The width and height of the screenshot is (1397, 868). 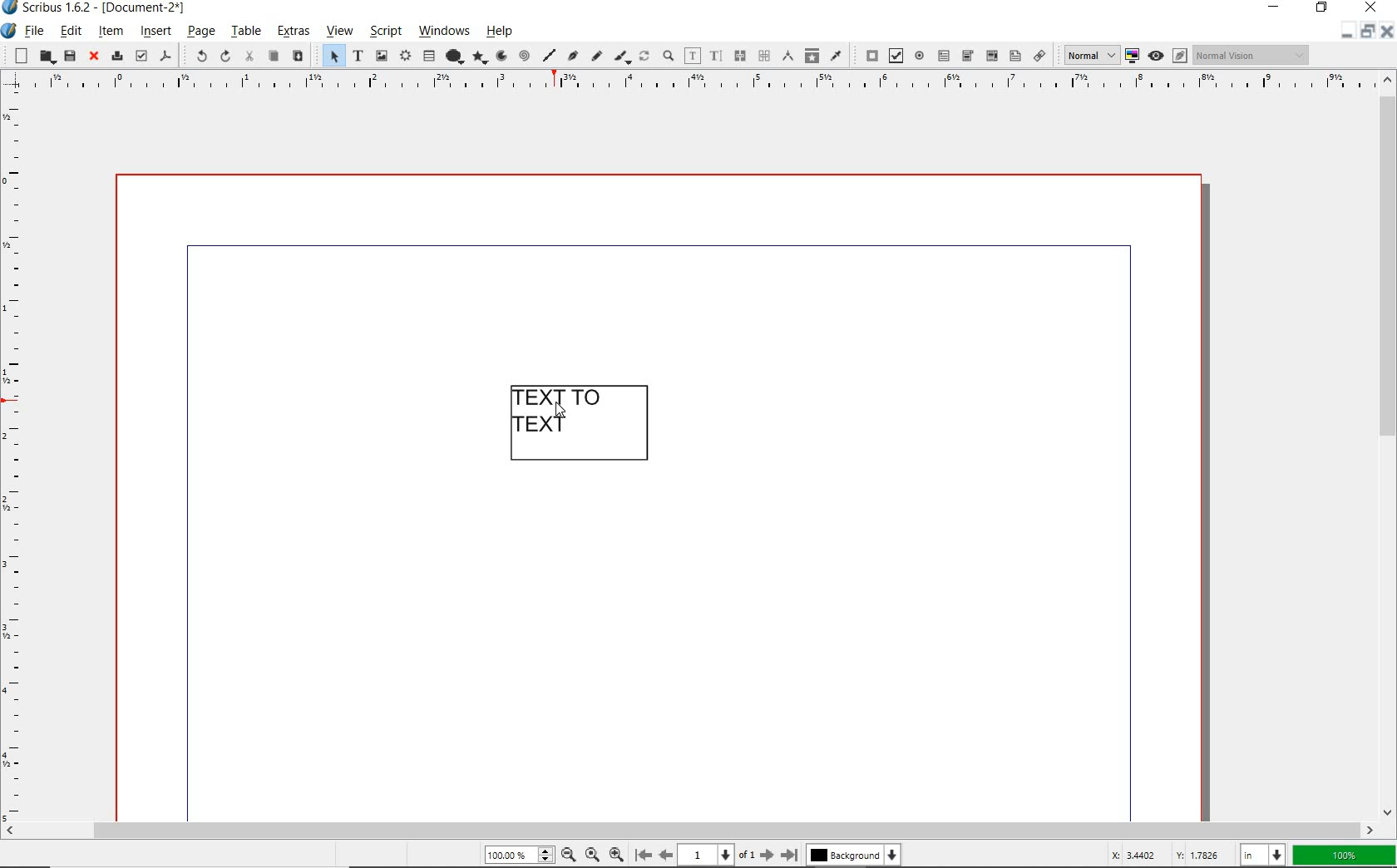 I want to click on restore, so click(x=1322, y=9).